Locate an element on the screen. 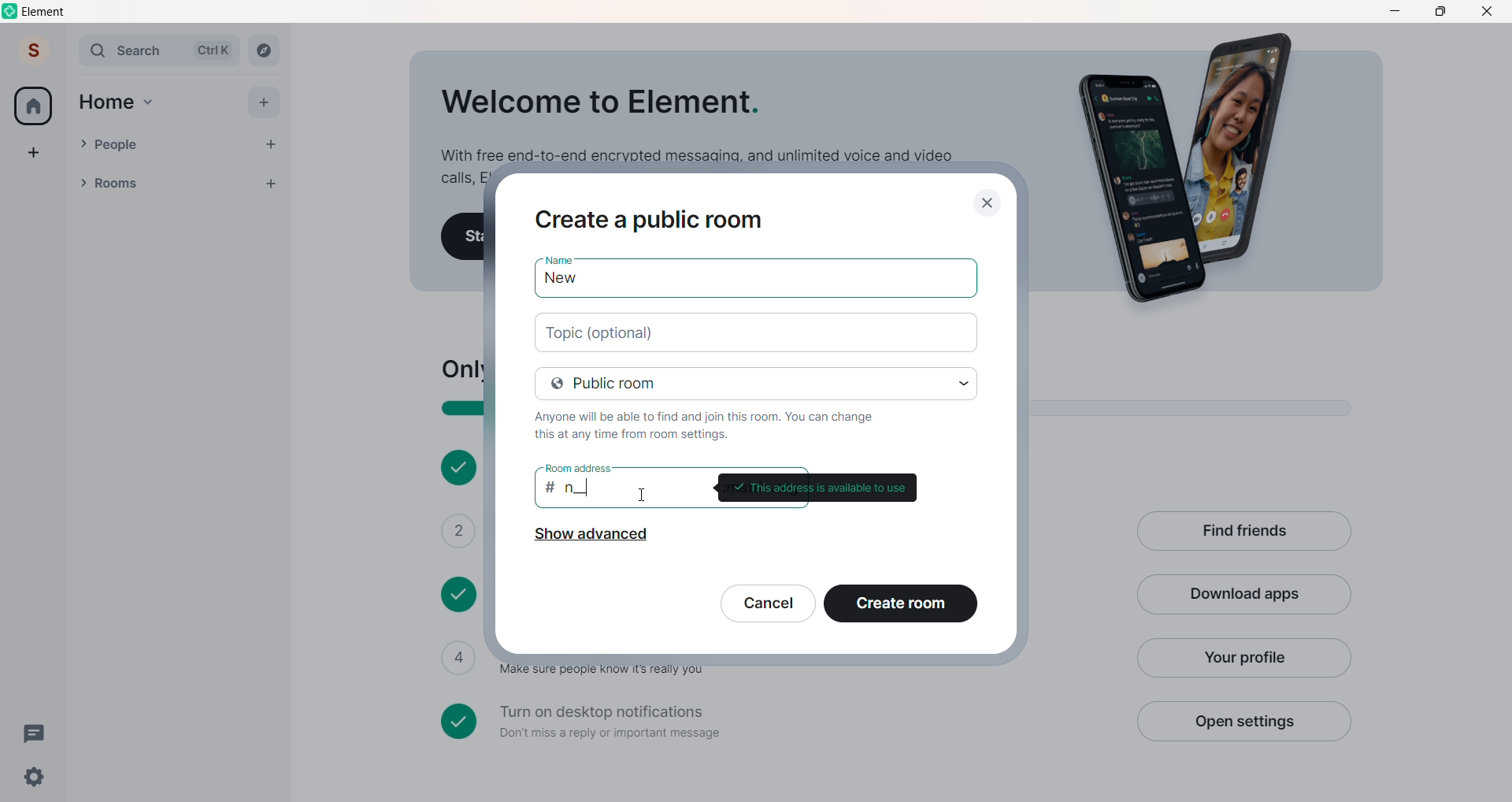  Logo is located at coordinates (11, 11).